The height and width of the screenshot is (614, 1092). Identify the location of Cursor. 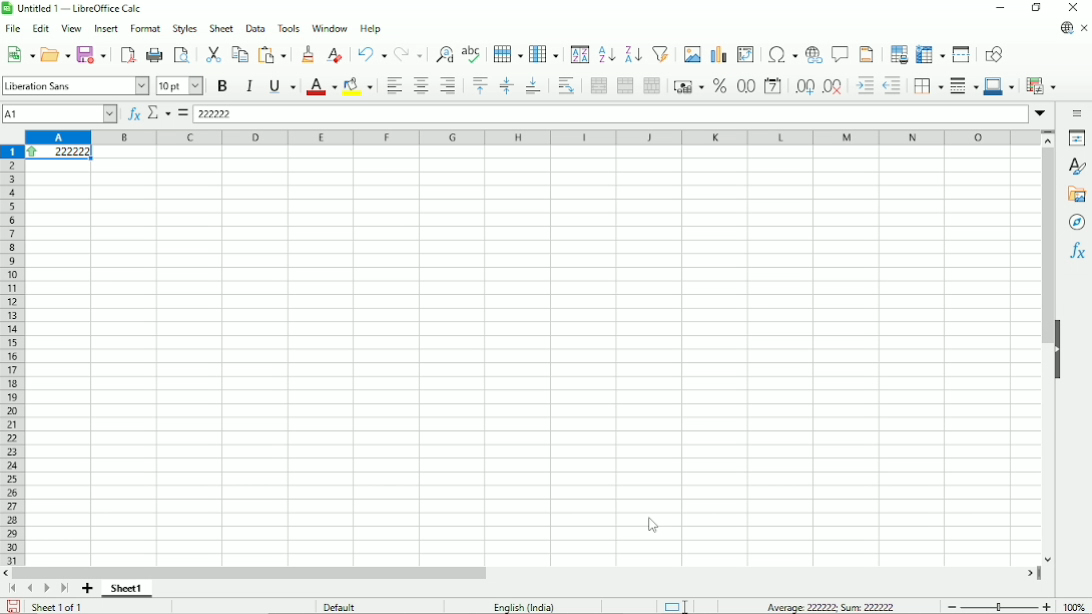
(653, 527).